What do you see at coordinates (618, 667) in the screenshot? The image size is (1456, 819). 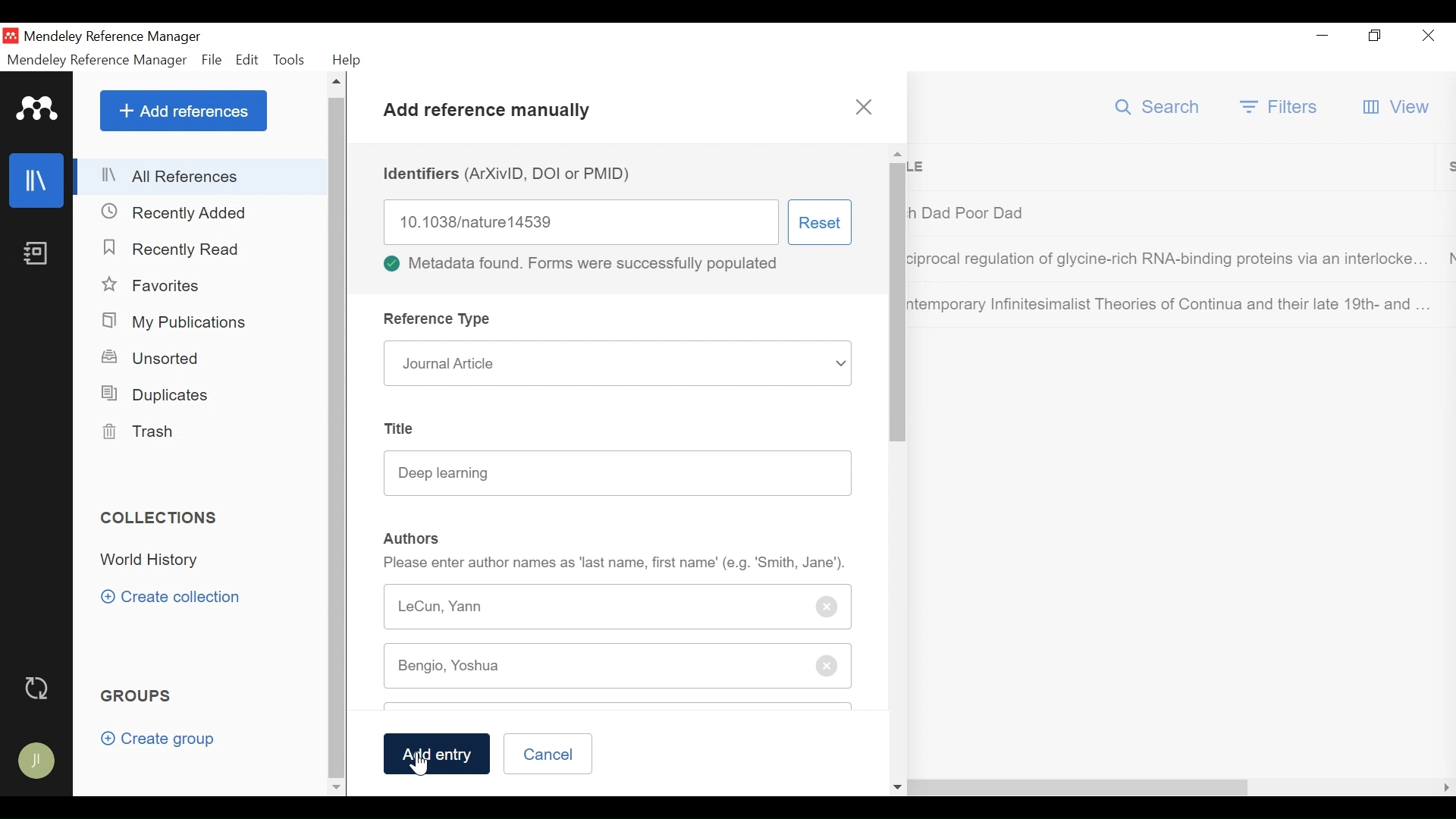 I see `Author` at bounding box center [618, 667].